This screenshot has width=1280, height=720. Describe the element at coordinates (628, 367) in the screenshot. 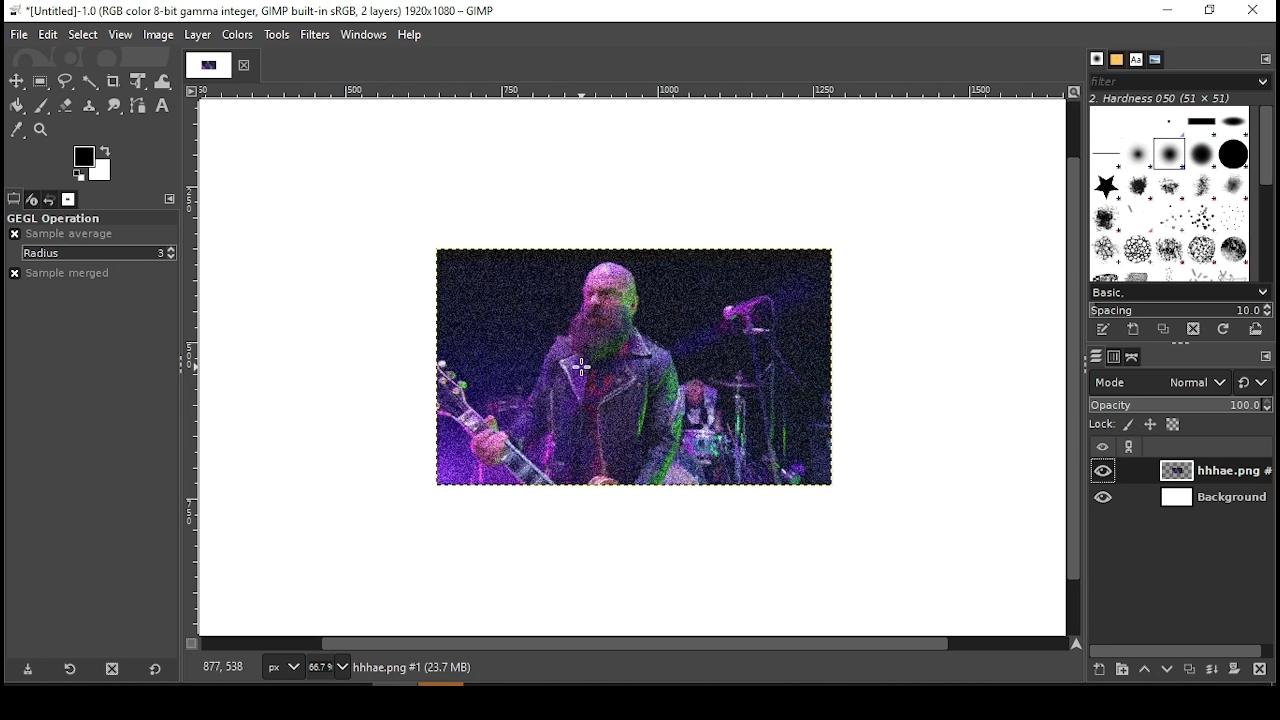

I see `image` at that location.